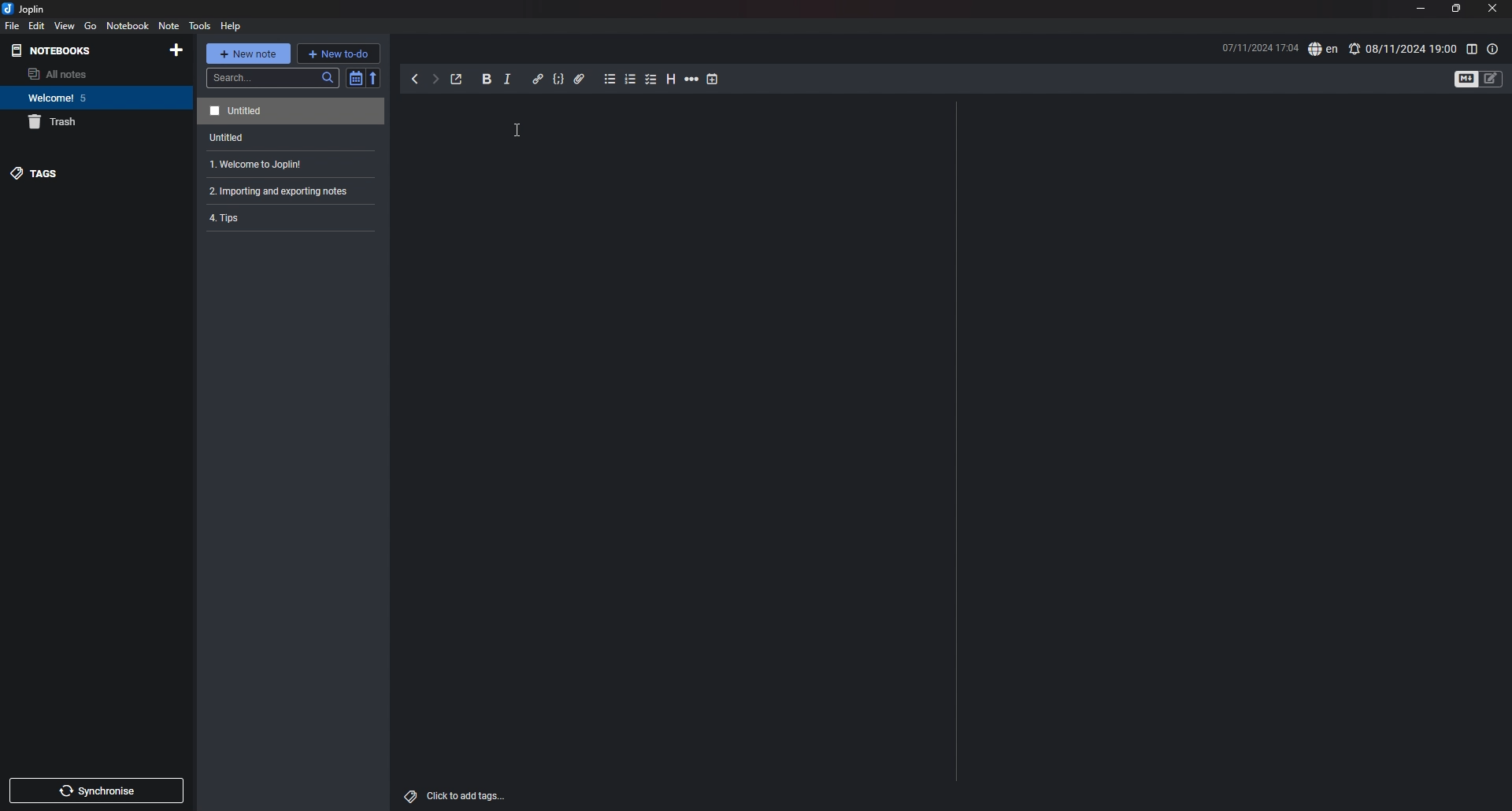  What do you see at coordinates (96, 790) in the screenshot?
I see `sync` at bounding box center [96, 790].